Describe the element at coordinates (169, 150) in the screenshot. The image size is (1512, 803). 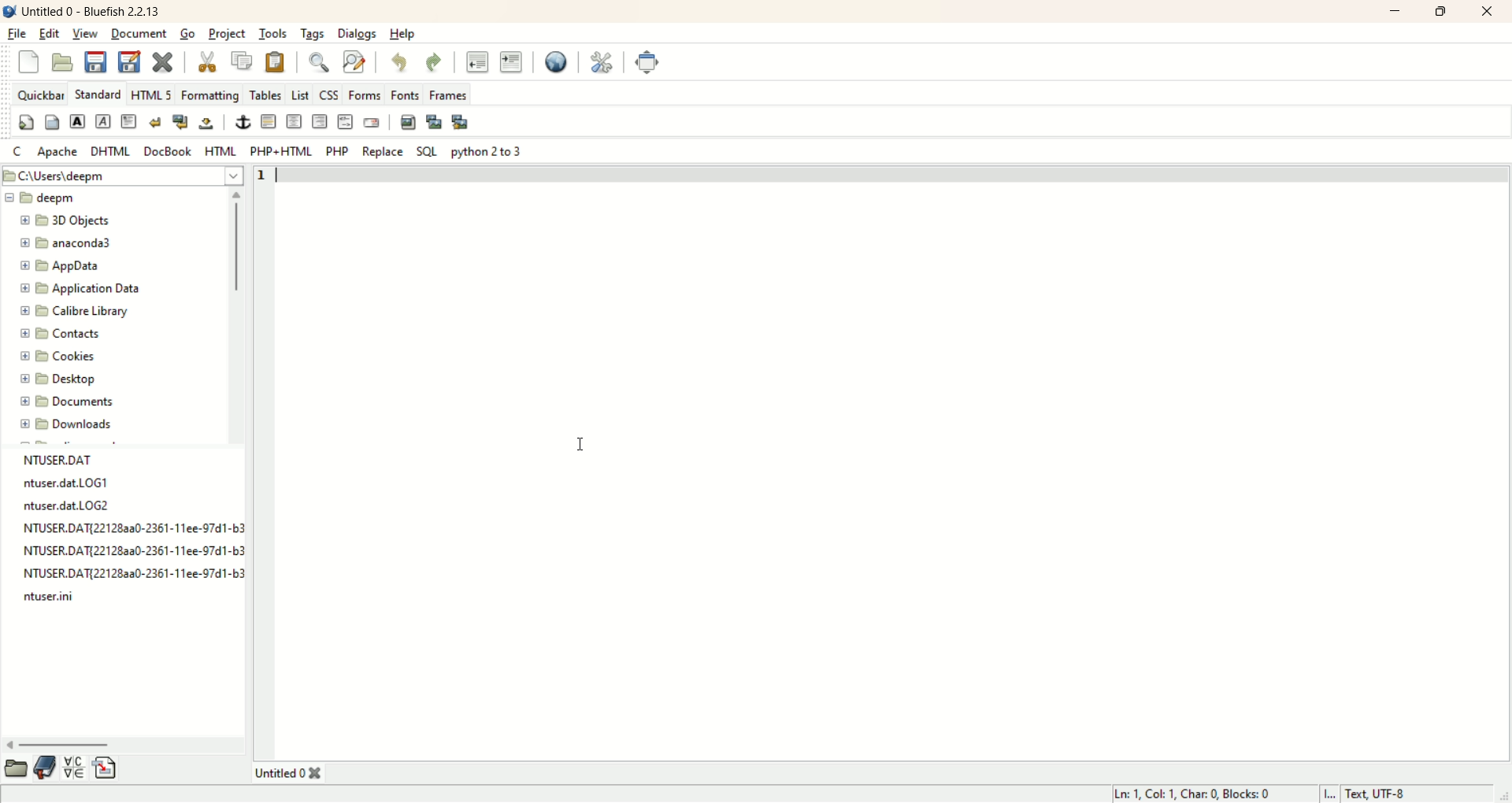
I see `docbook` at that location.